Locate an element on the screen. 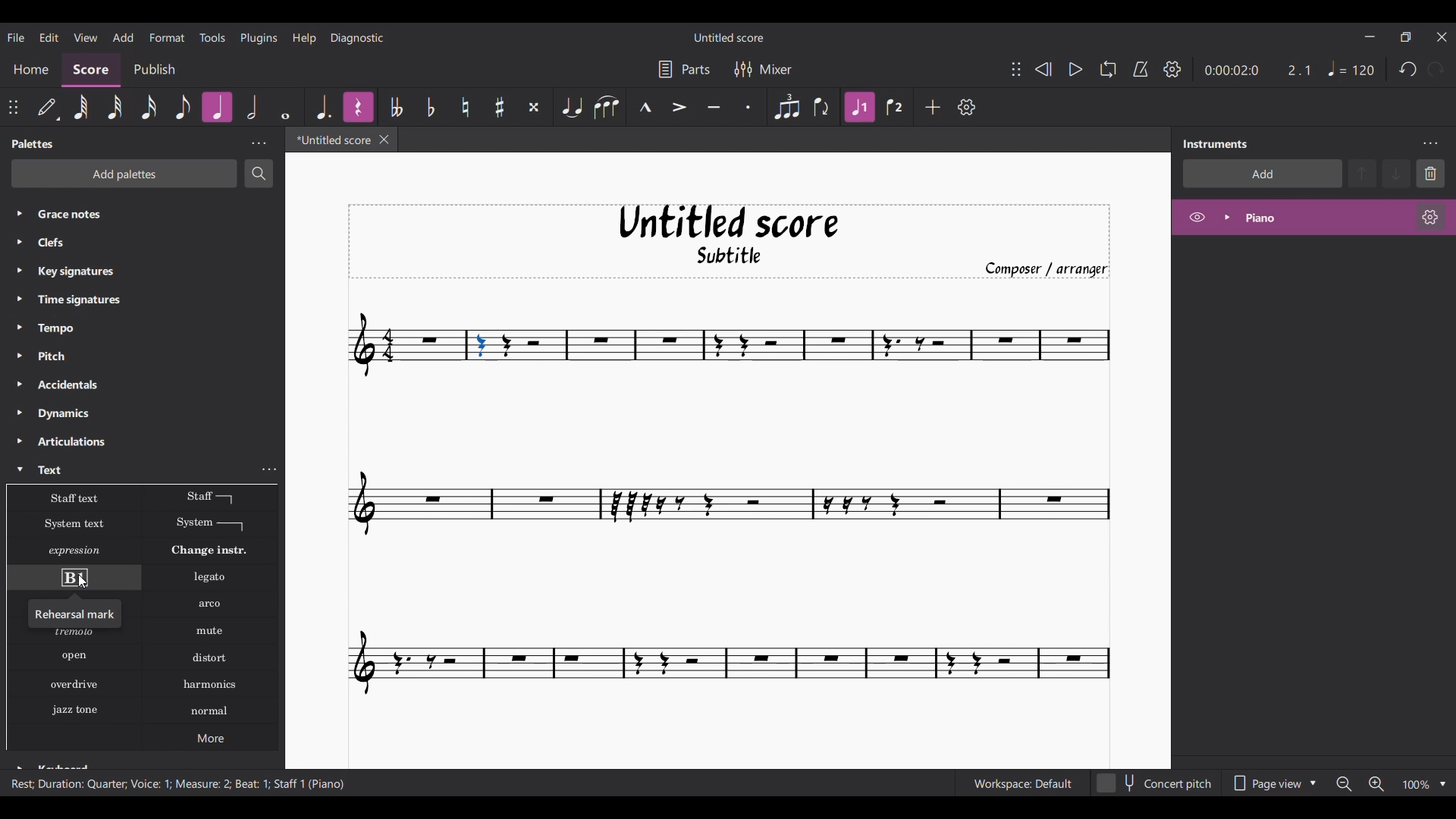 The image size is (1456, 819). Highlighted after current selection is located at coordinates (860, 107).